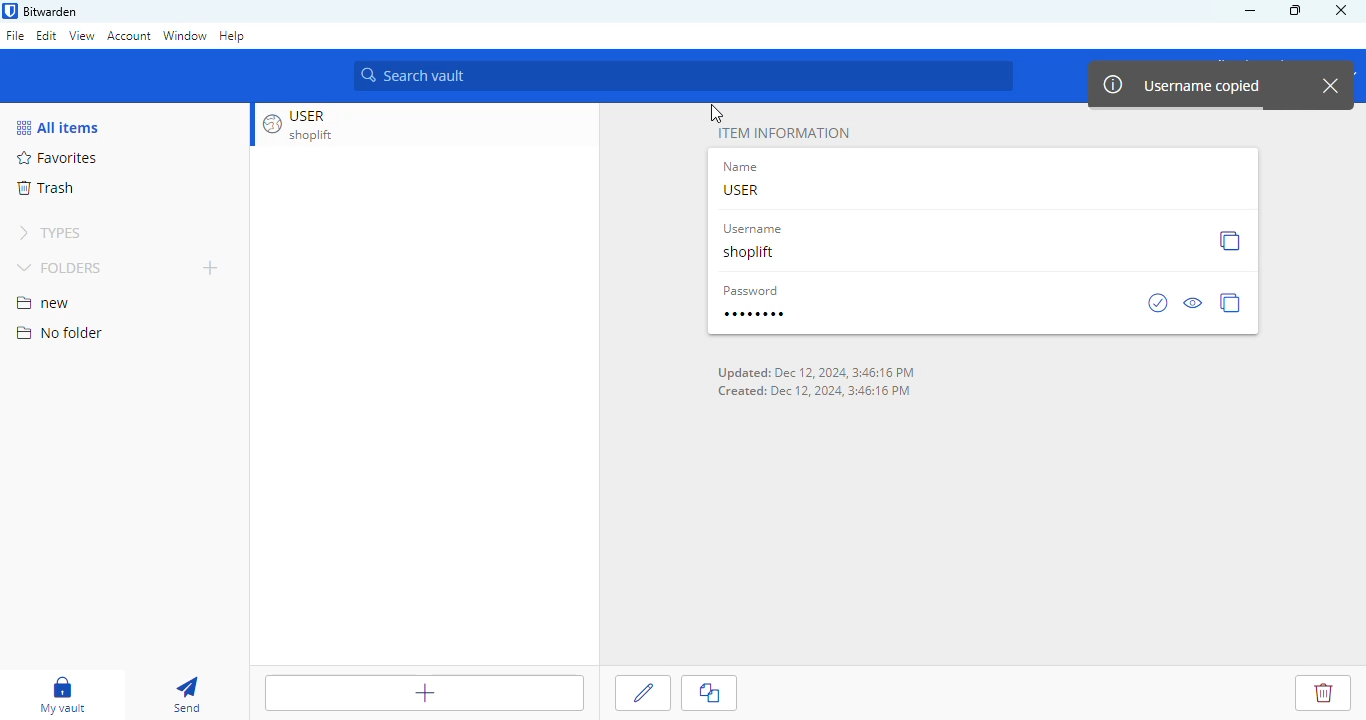 The width and height of the screenshot is (1366, 720). I want to click on types, so click(51, 233).